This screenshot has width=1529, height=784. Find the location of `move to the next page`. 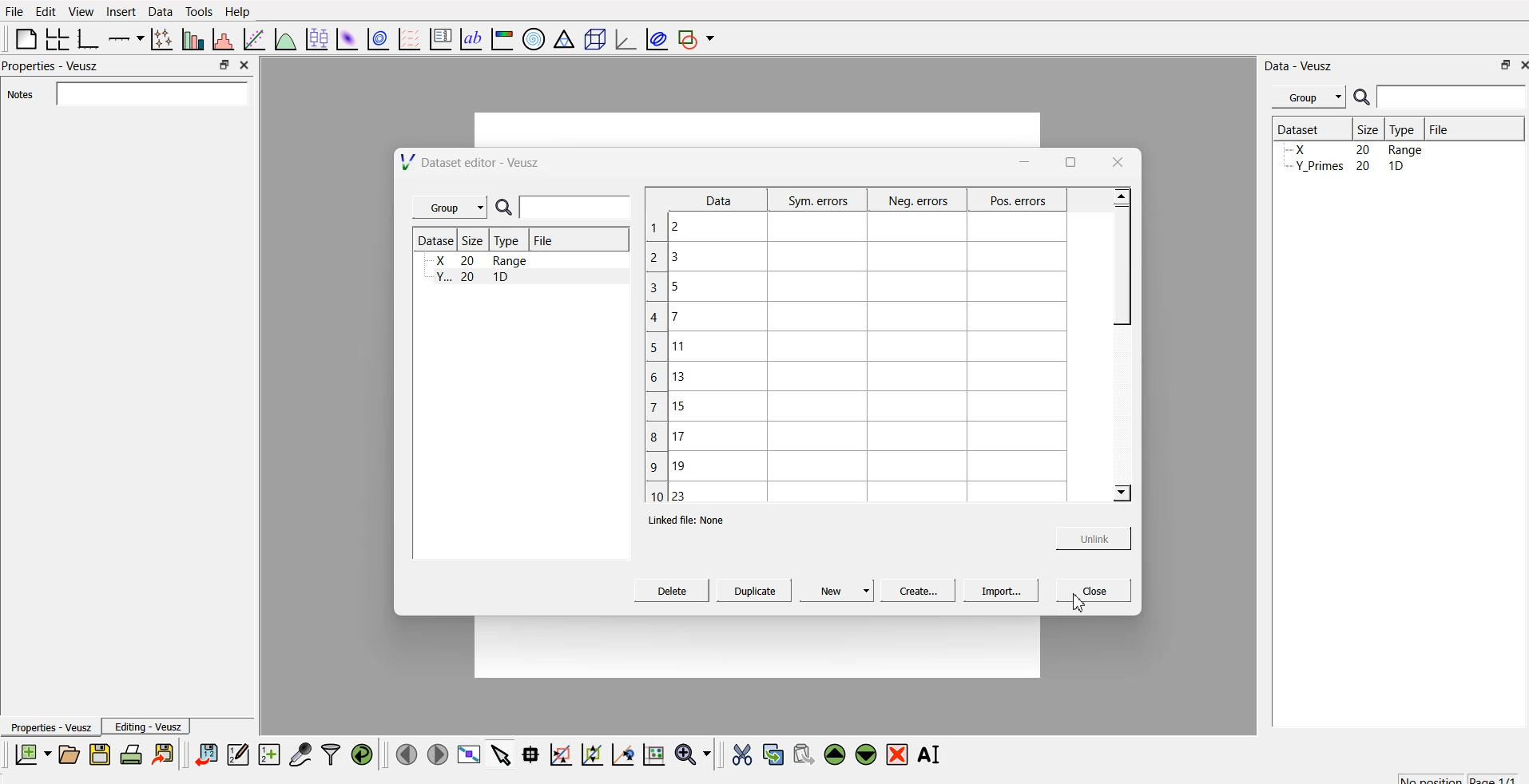

move to the next page is located at coordinates (436, 754).